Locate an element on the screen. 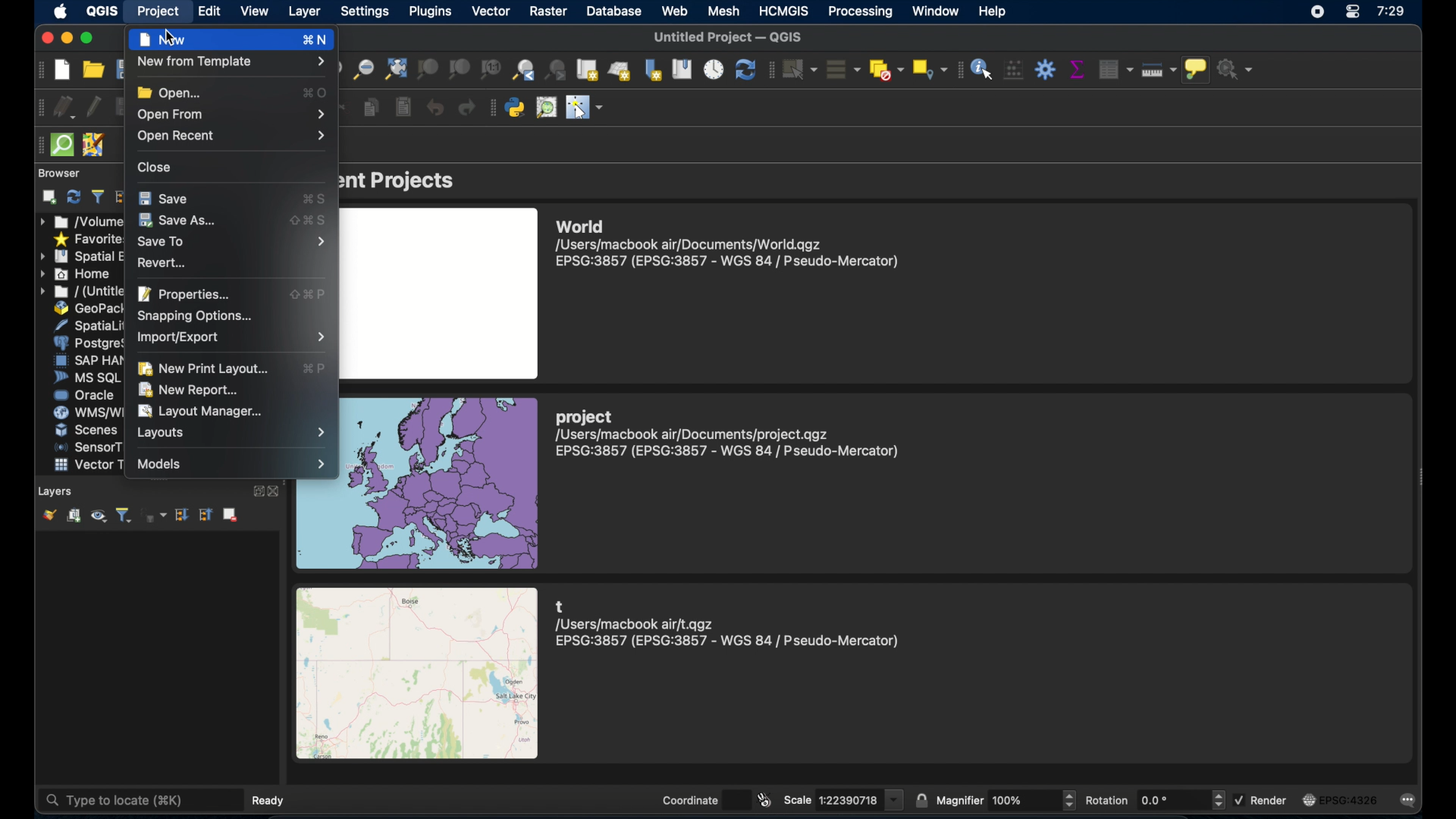  select by location is located at coordinates (929, 69).